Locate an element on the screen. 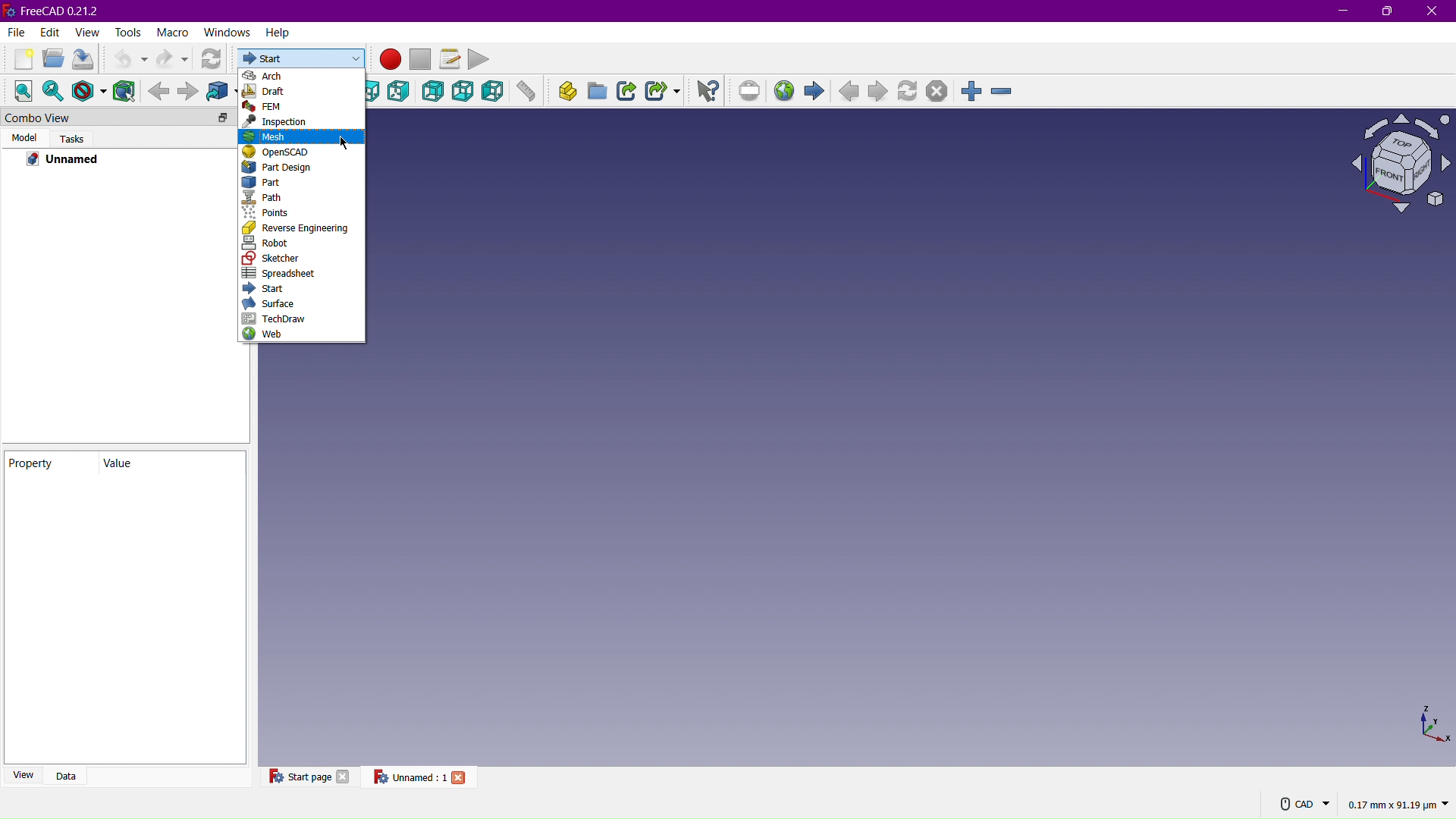  Create part is located at coordinates (563, 93).